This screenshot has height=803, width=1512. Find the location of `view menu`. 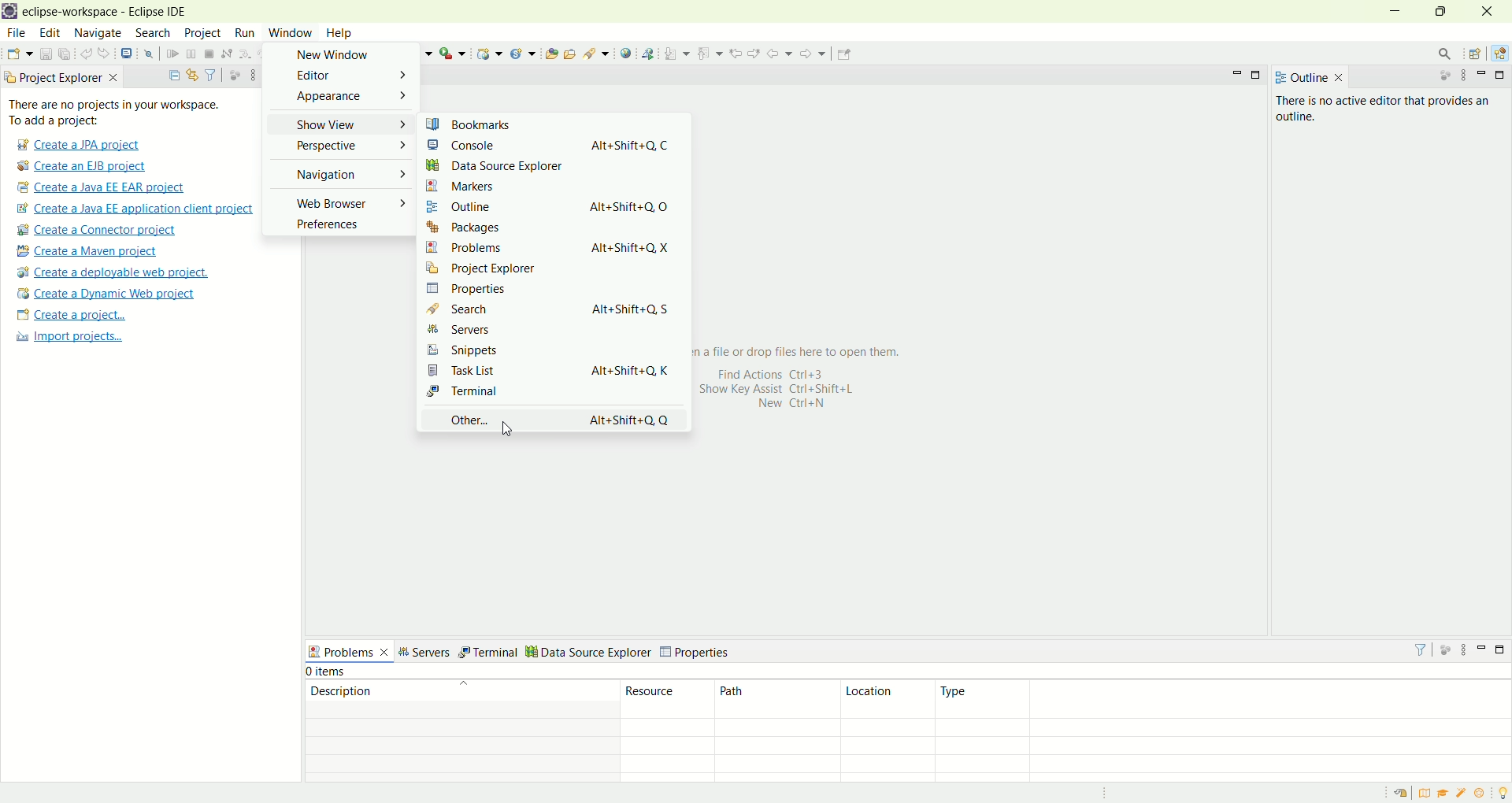

view menu is located at coordinates (1463, 76).